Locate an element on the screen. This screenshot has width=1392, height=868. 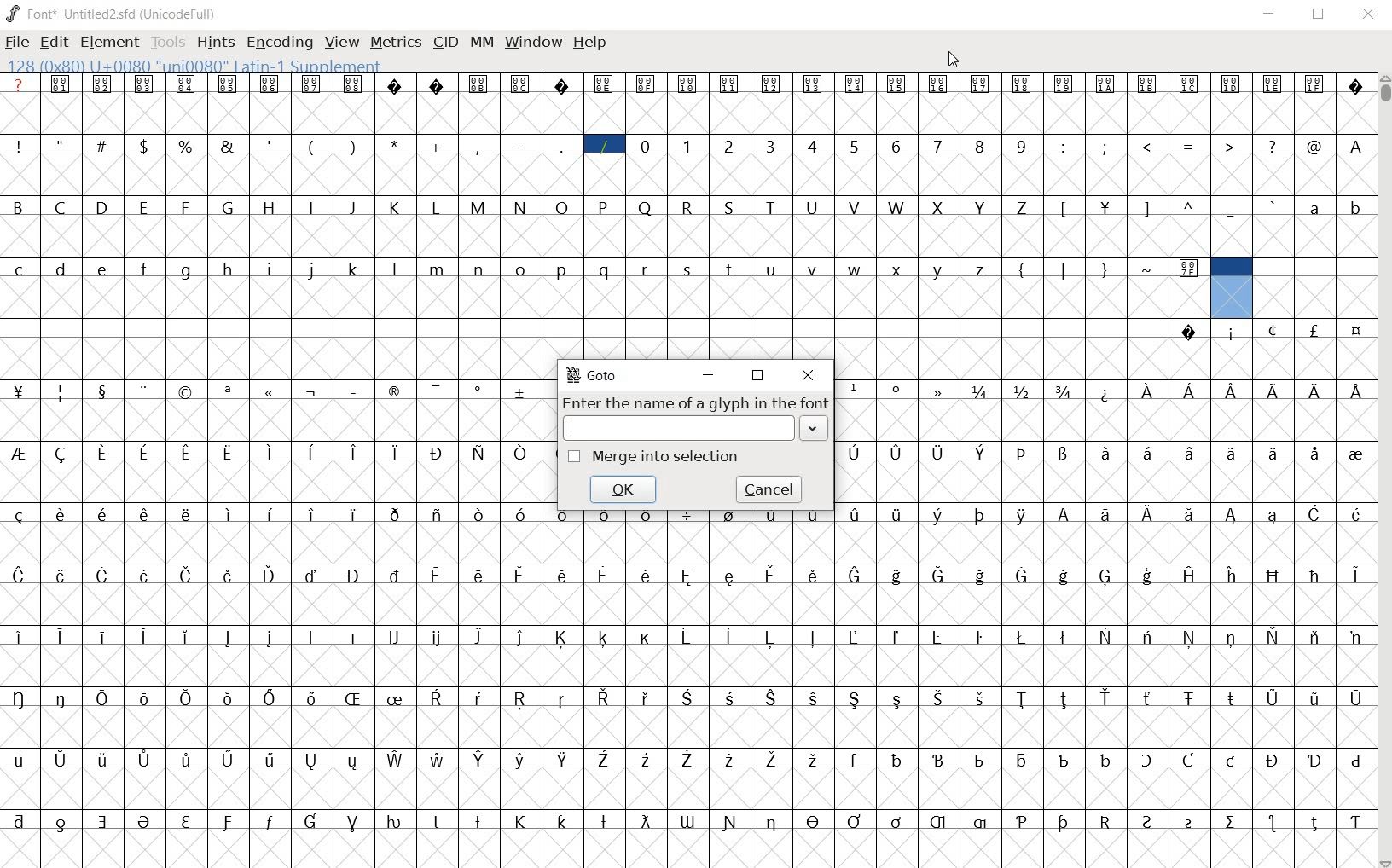
hints is located at coordinates (216, 43).